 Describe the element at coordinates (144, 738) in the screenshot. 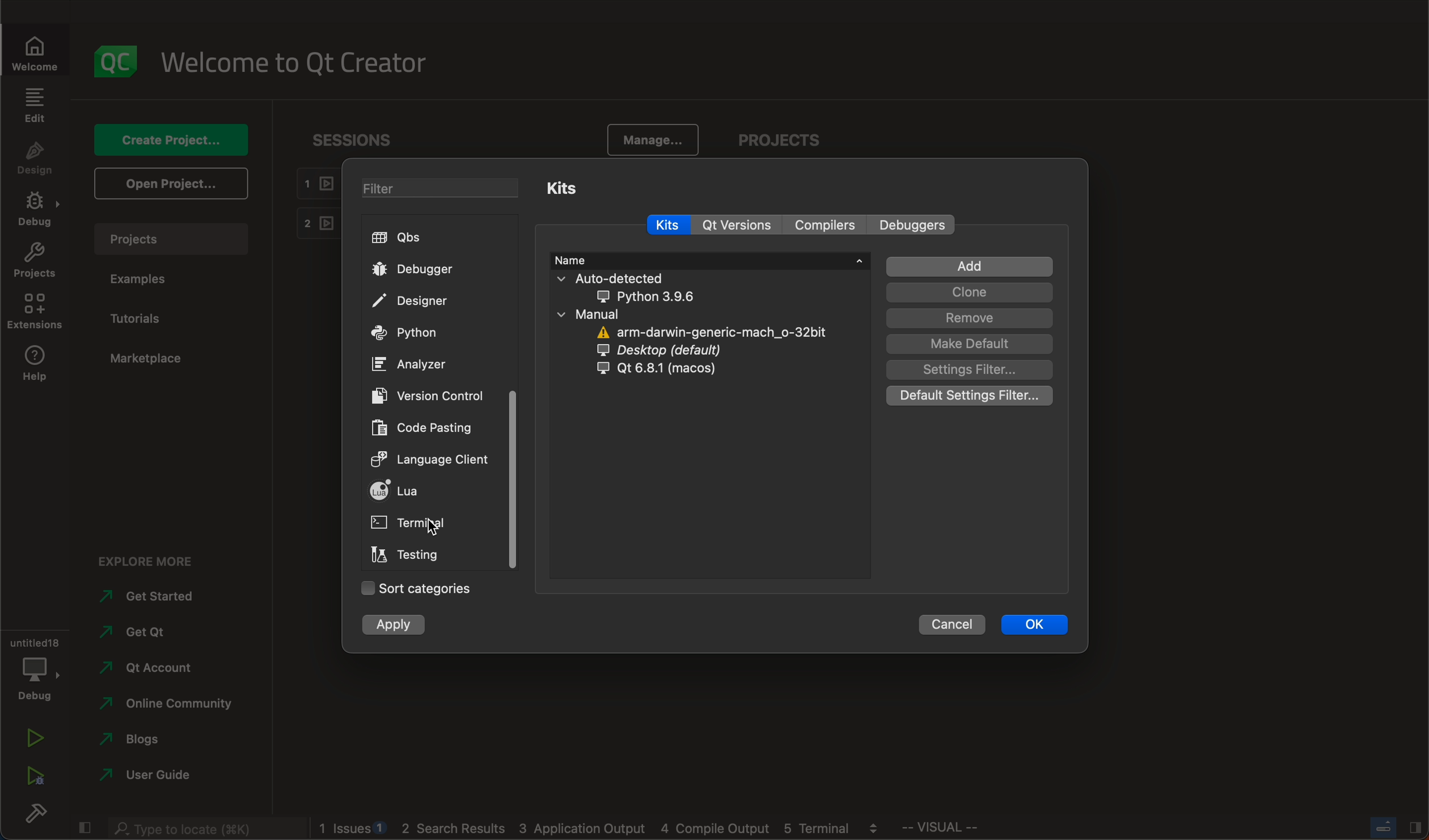

I see `blogs` at that location.